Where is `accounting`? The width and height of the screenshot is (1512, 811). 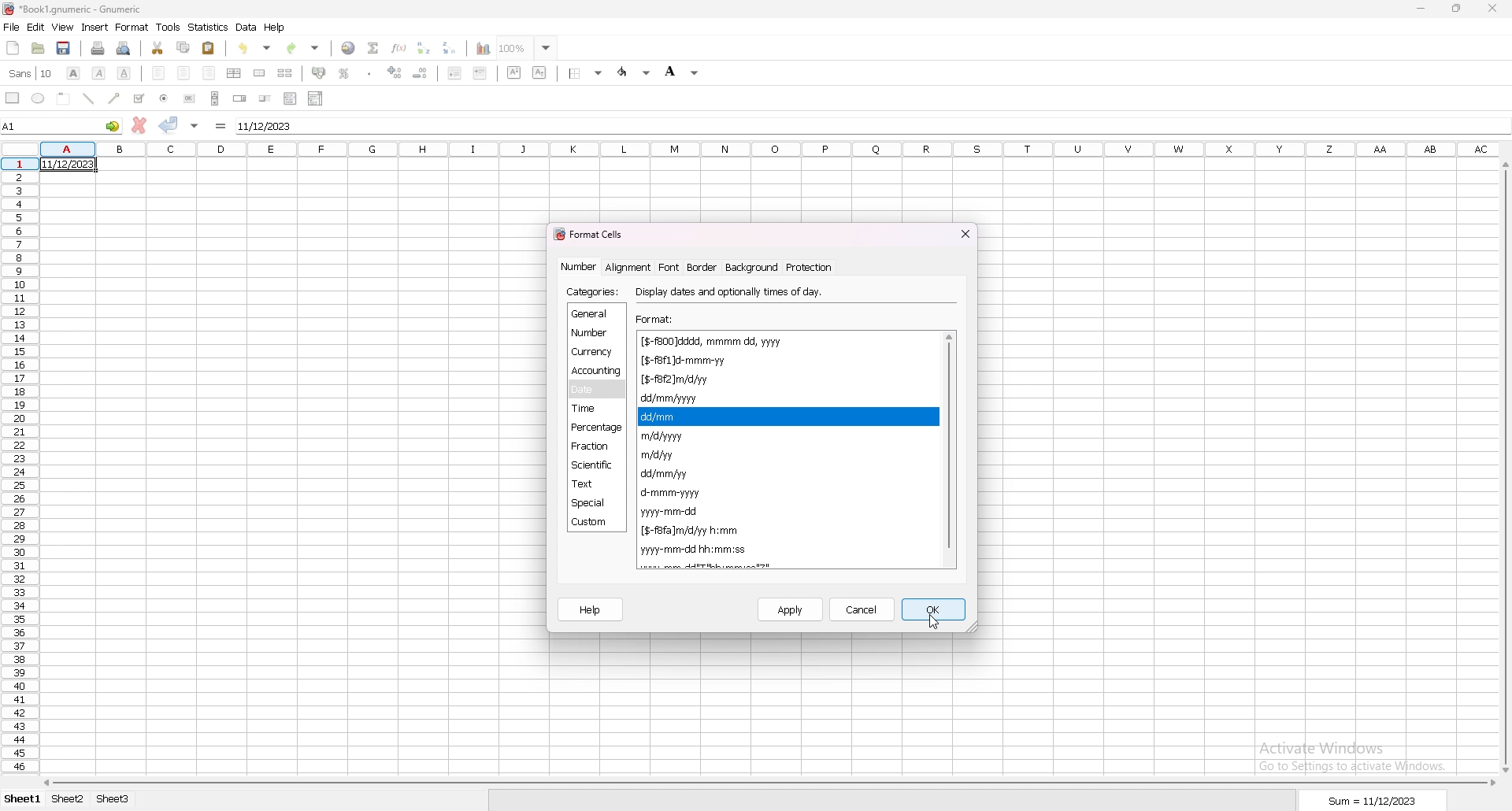
accounting is located at coordinates (597, 371).